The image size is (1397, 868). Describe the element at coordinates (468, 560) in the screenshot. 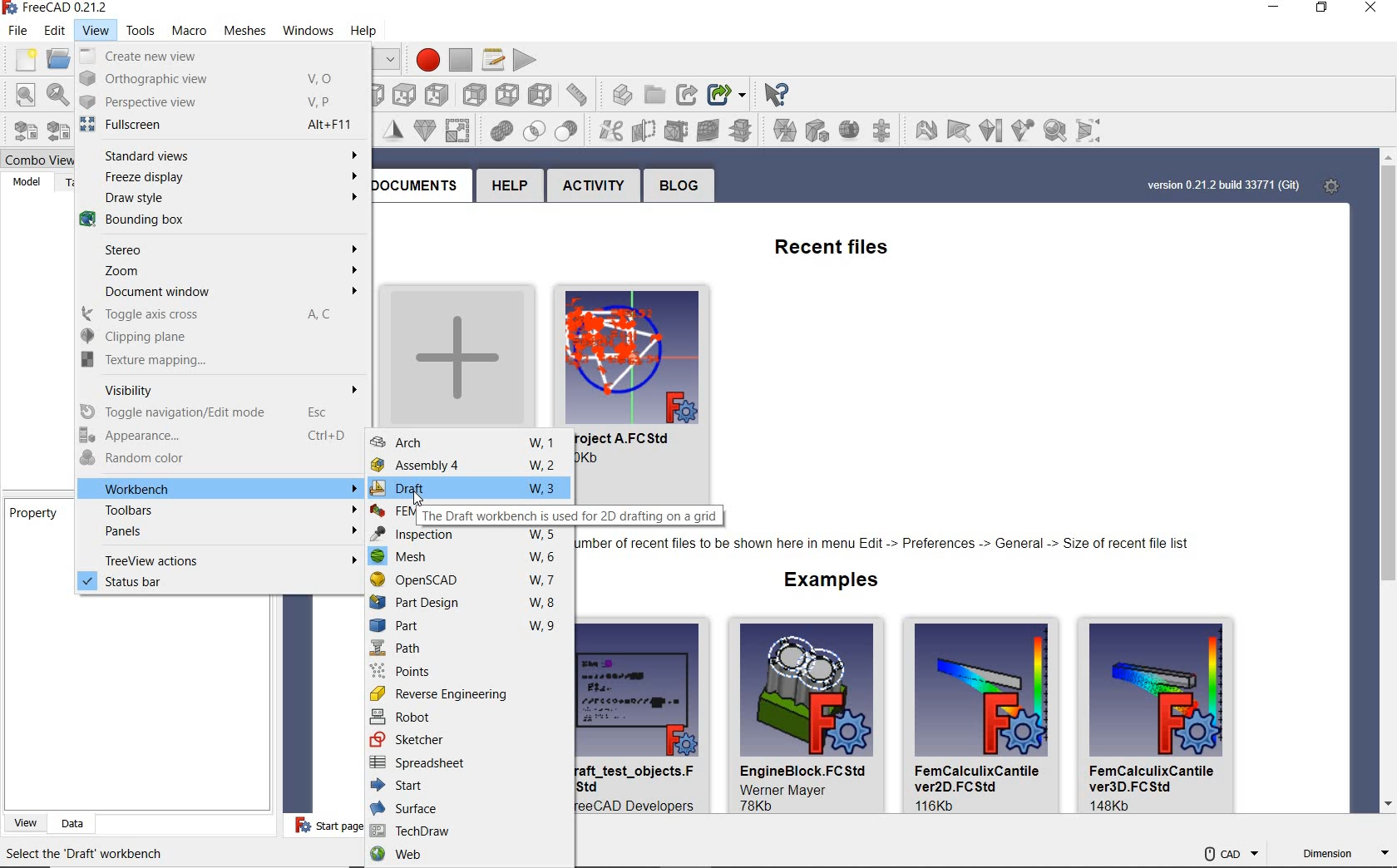

I see `mesh` at that location.